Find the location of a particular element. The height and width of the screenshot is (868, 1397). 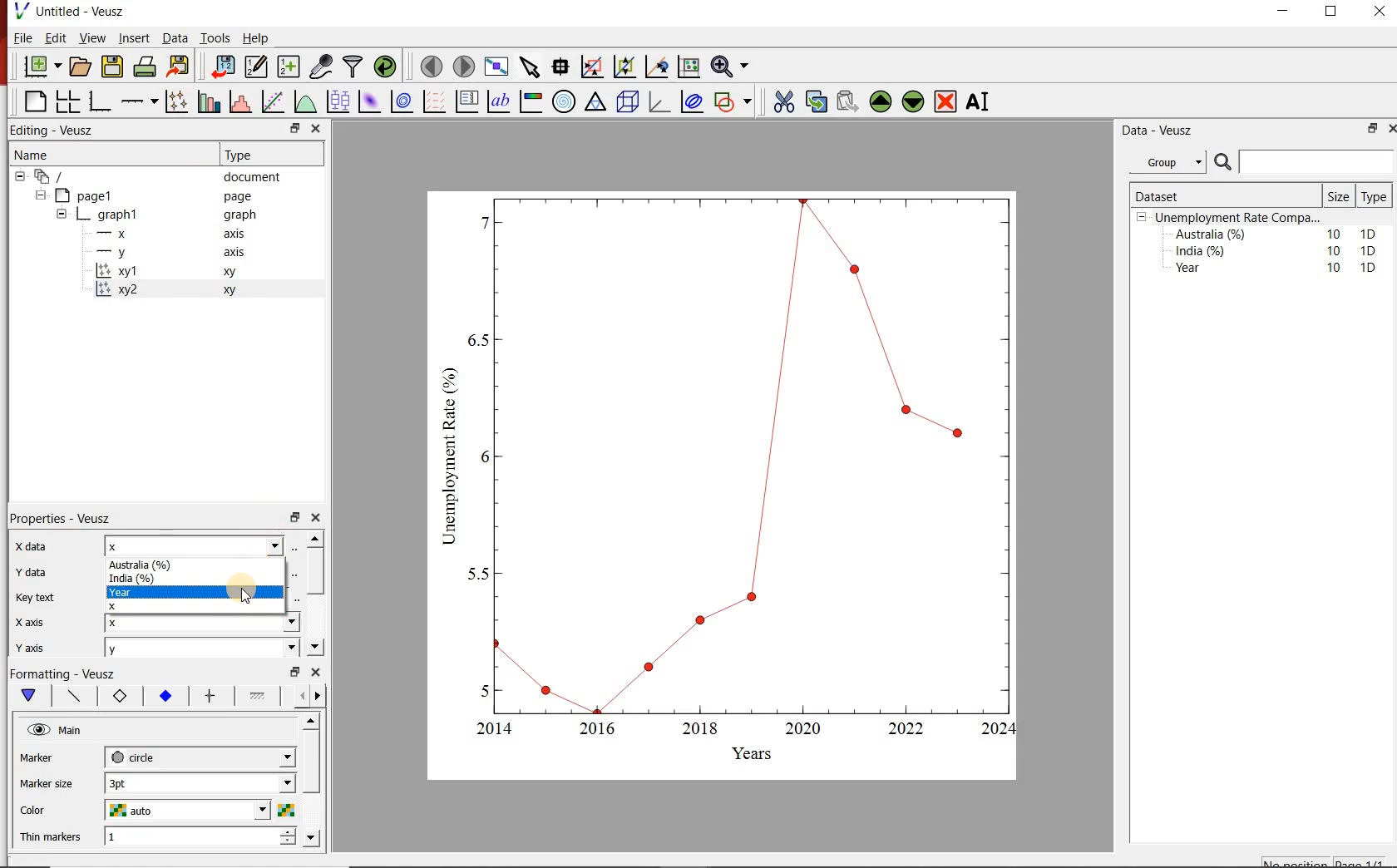

click to recenter graph axes is located at coordinates (658, 66).